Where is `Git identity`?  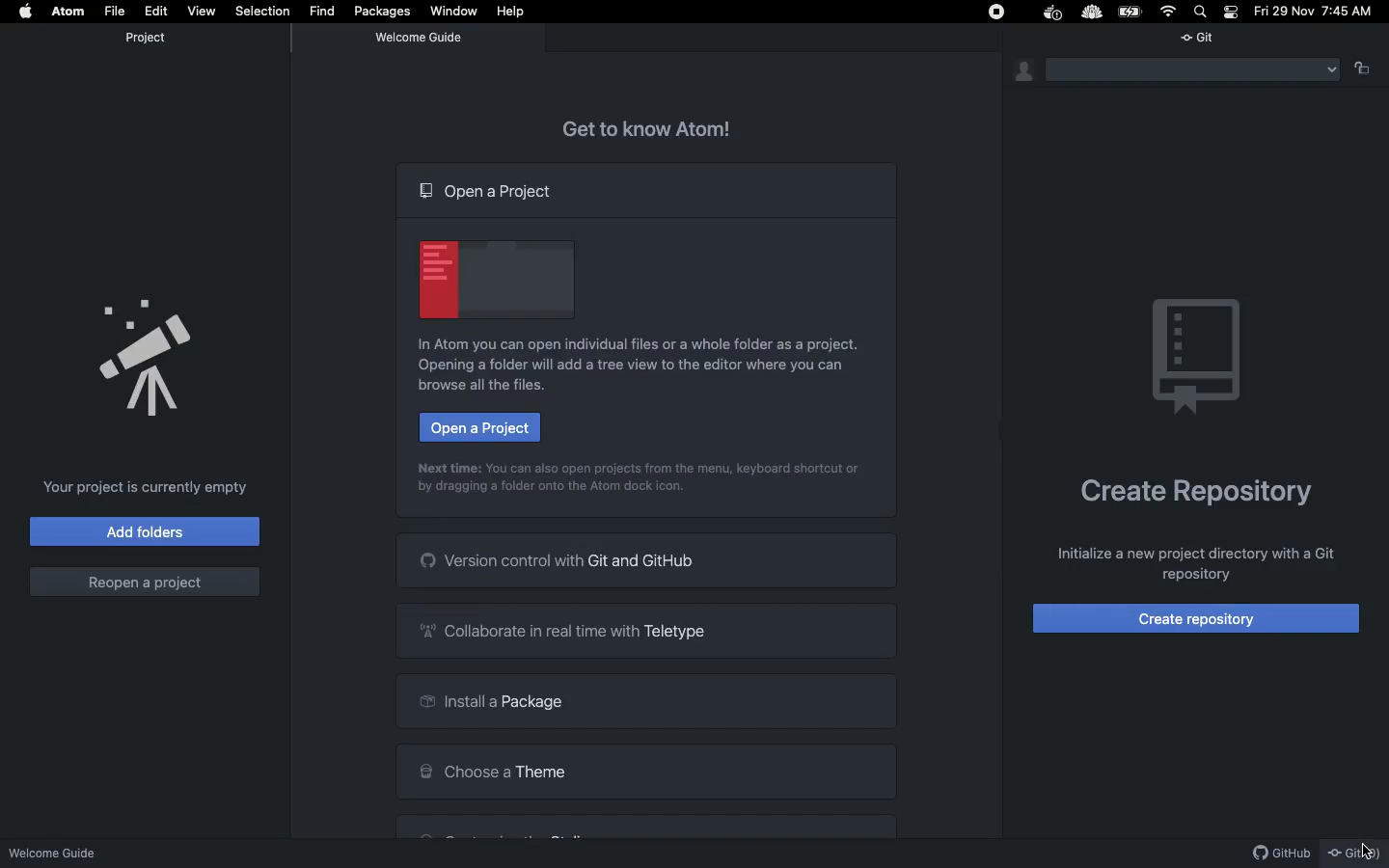 Git identity is located at coordinates (1018, 70).